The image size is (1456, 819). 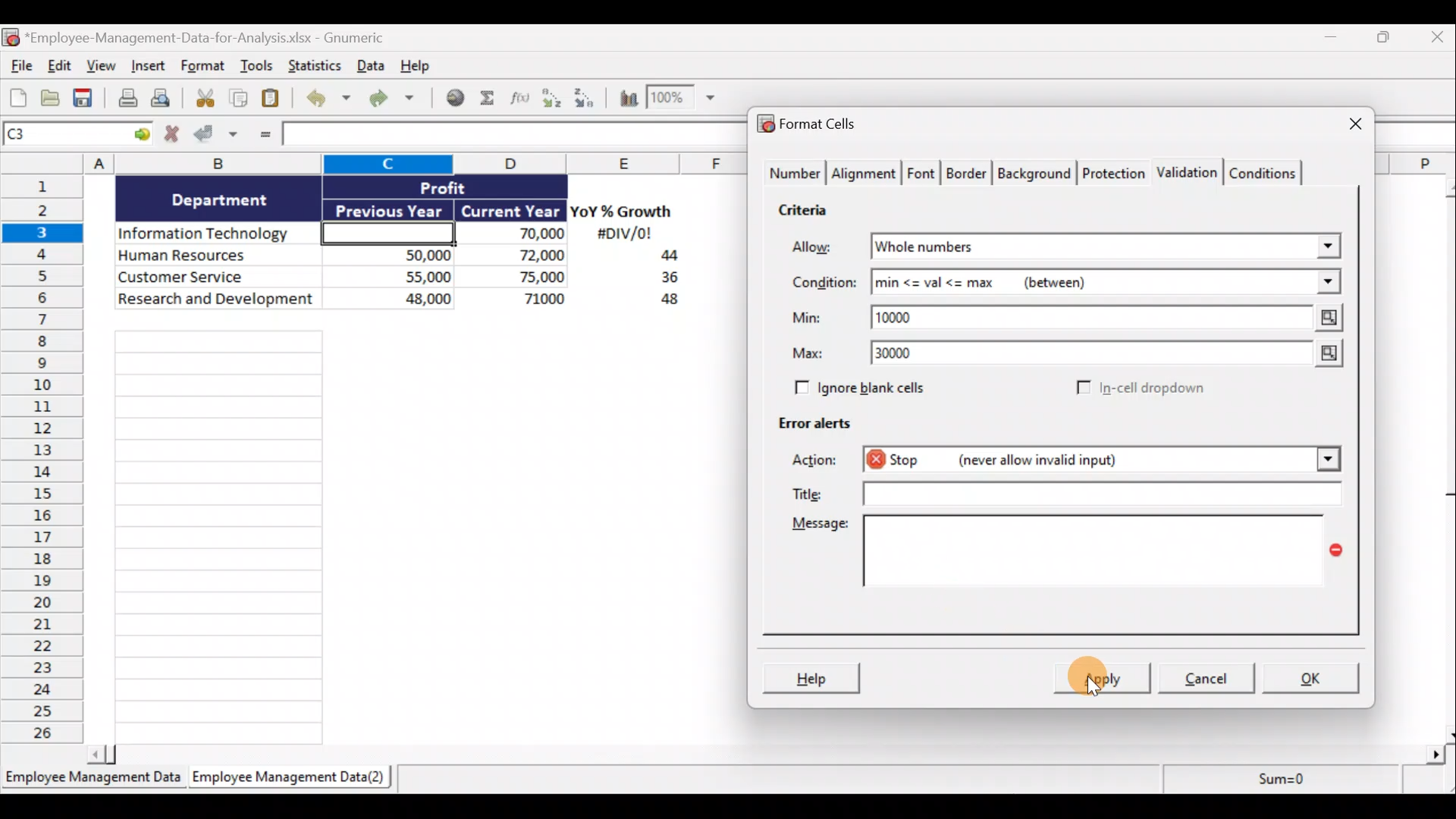 What do you see at coordinates (1212, 680) in the screenshot?
I see `Cancel` at bounding box center [1212, 680].